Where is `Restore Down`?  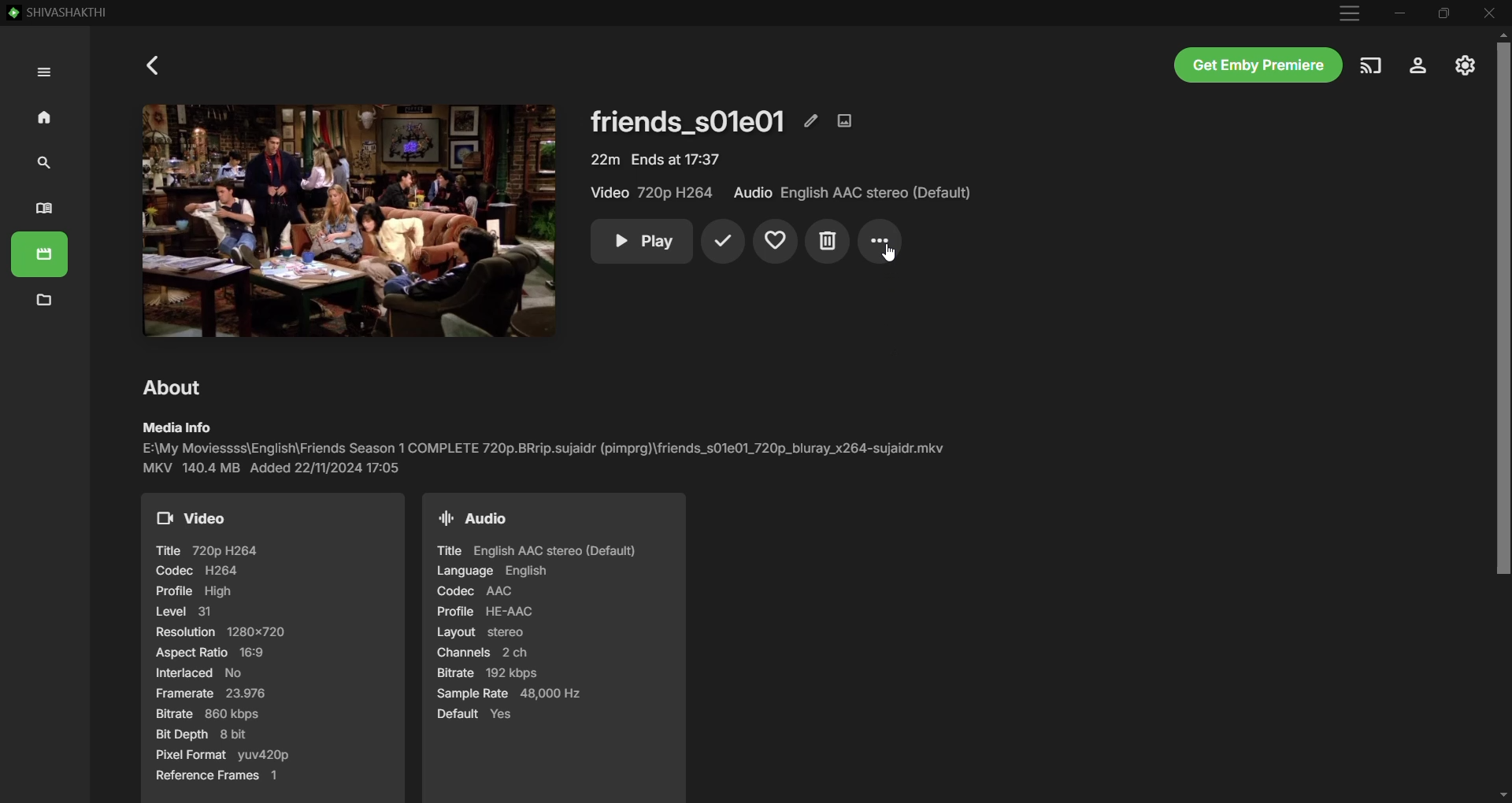
Restore Down is located at coordinates (1443, 13).